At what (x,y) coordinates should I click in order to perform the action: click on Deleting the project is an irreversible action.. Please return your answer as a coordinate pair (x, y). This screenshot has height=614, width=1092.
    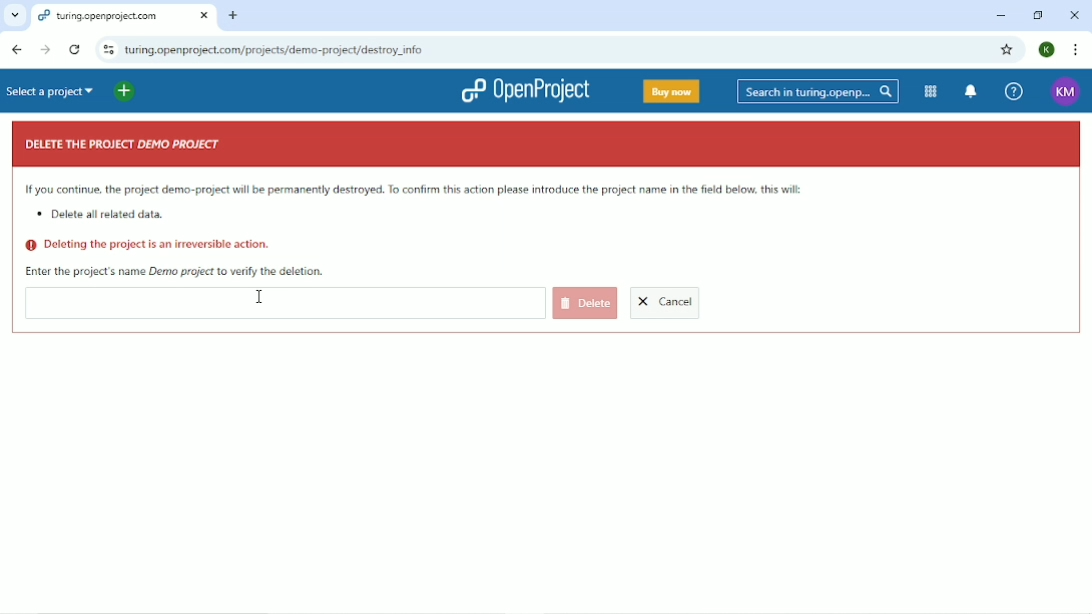
    Looking at the image, I should click on (149, 245).